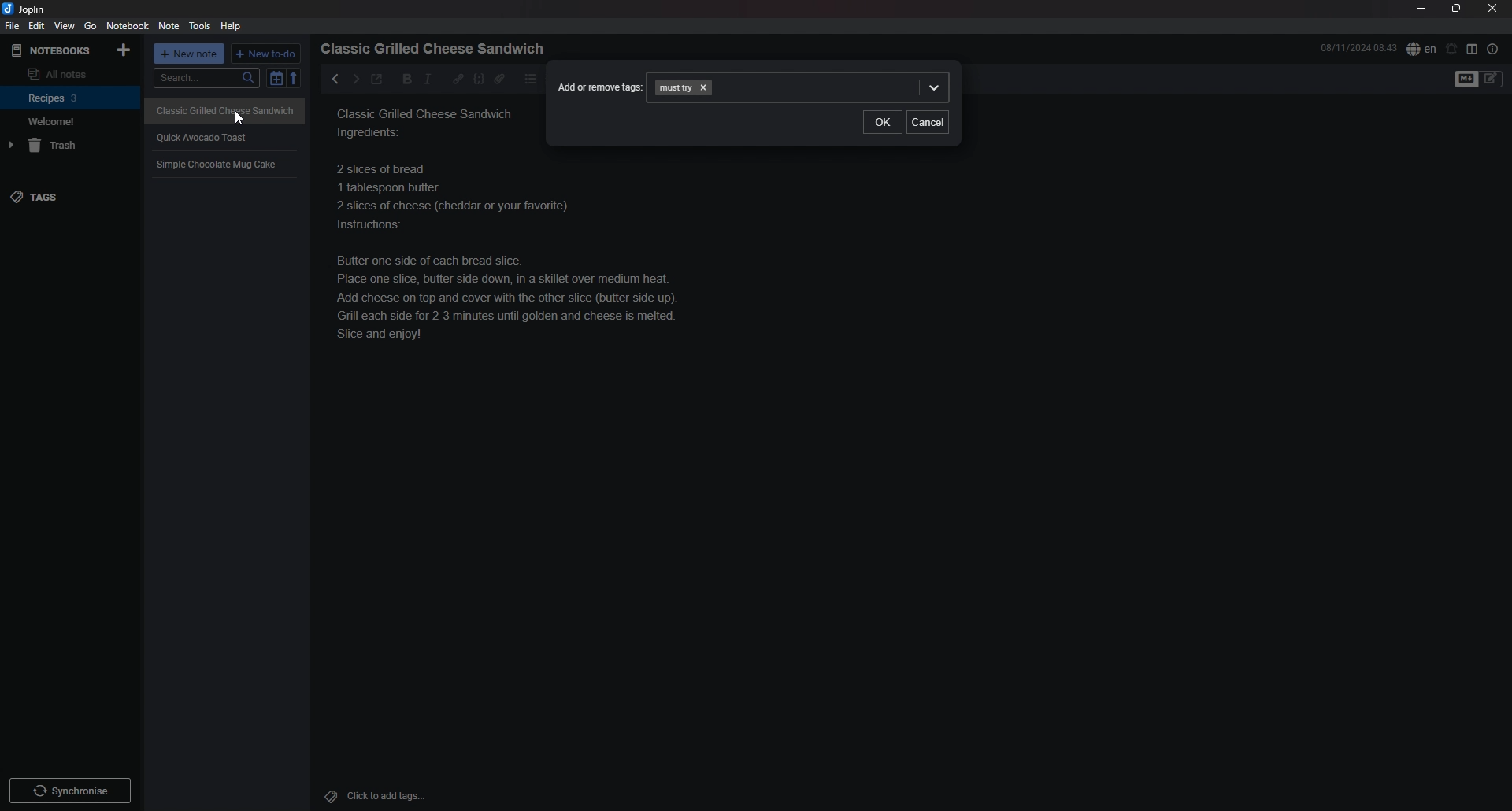 The height and width of the screenshot is (811, 1512). Describe the element at coordinates (1358, 47) in the screenshot. I see `time` at that location.